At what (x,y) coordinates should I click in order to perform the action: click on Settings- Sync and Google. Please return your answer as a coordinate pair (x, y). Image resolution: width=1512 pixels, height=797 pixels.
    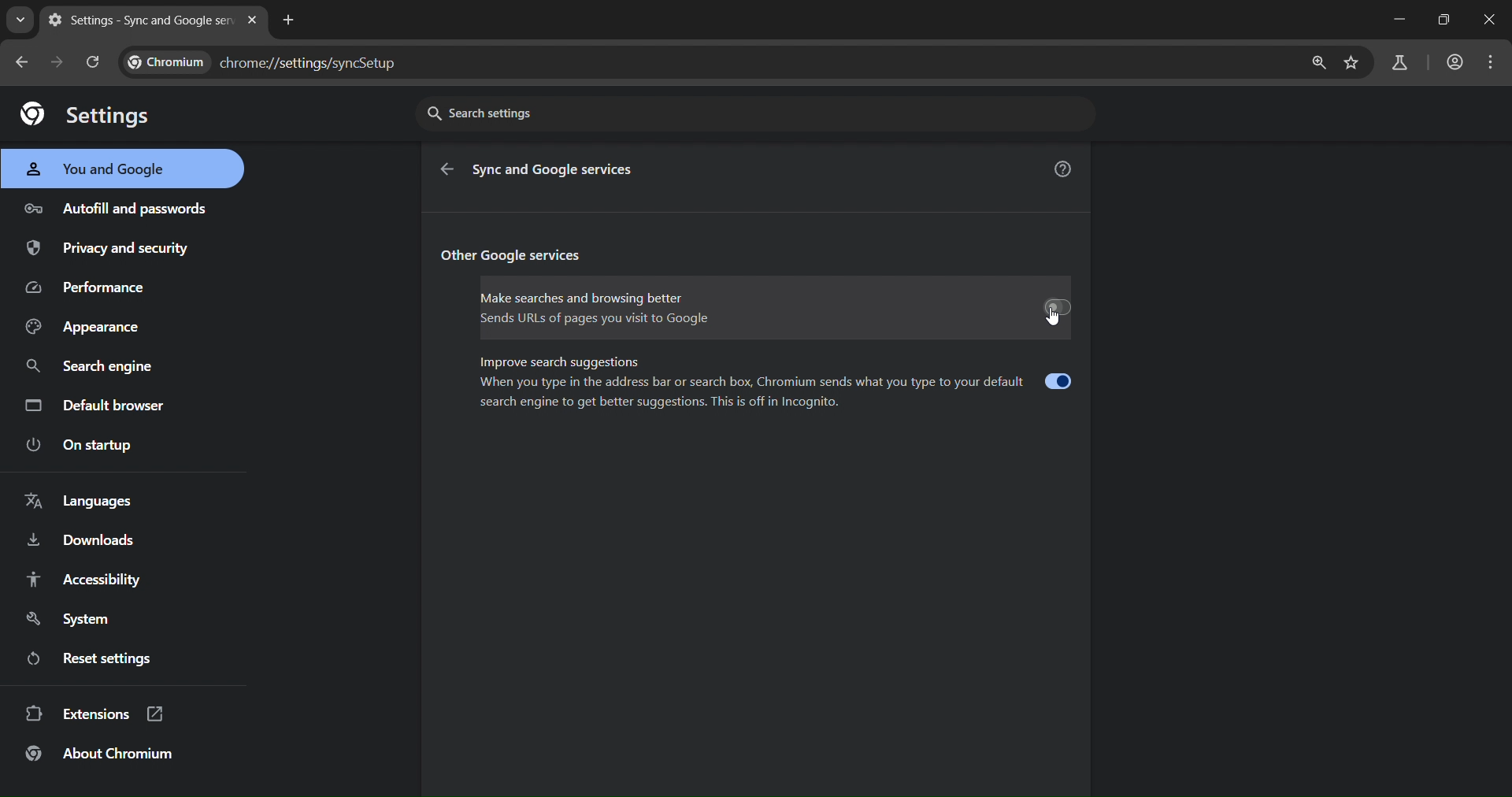
    Looking at the image, I should click on (141, 20).